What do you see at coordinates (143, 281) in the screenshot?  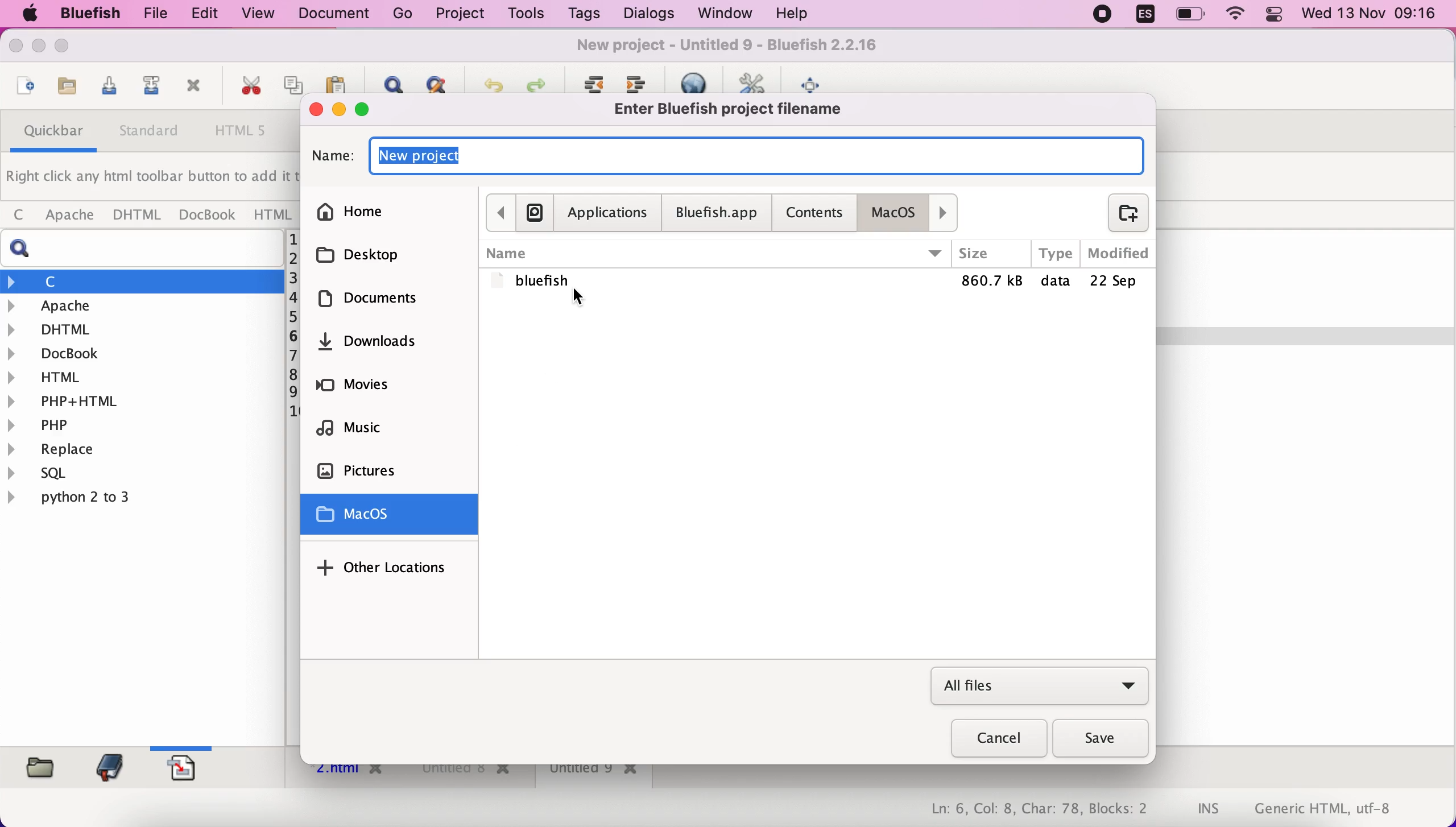 I see `c` at bounding box center [143, 281].